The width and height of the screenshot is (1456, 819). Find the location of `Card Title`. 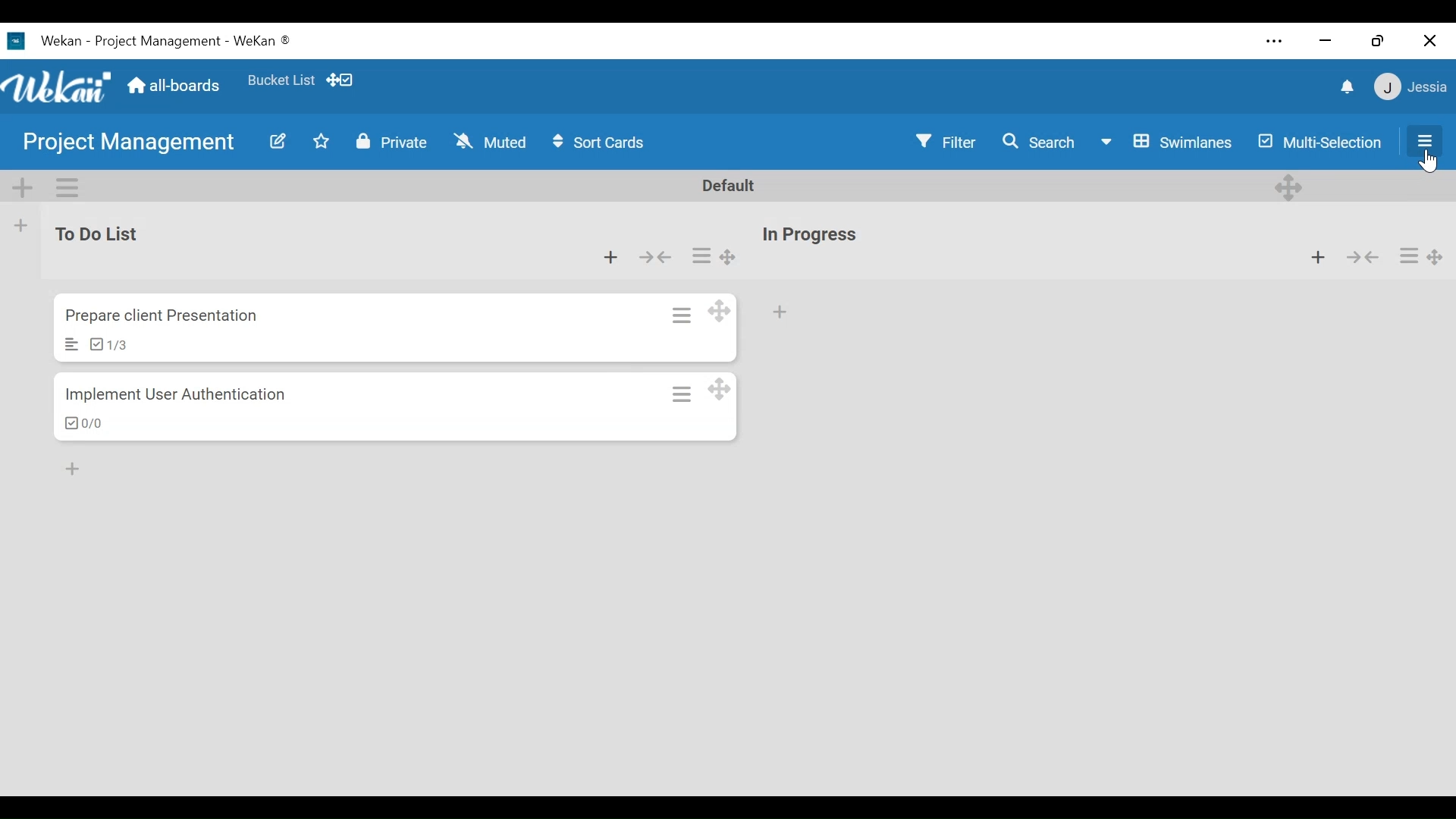

Card Title is located at coordinates (161, 316).